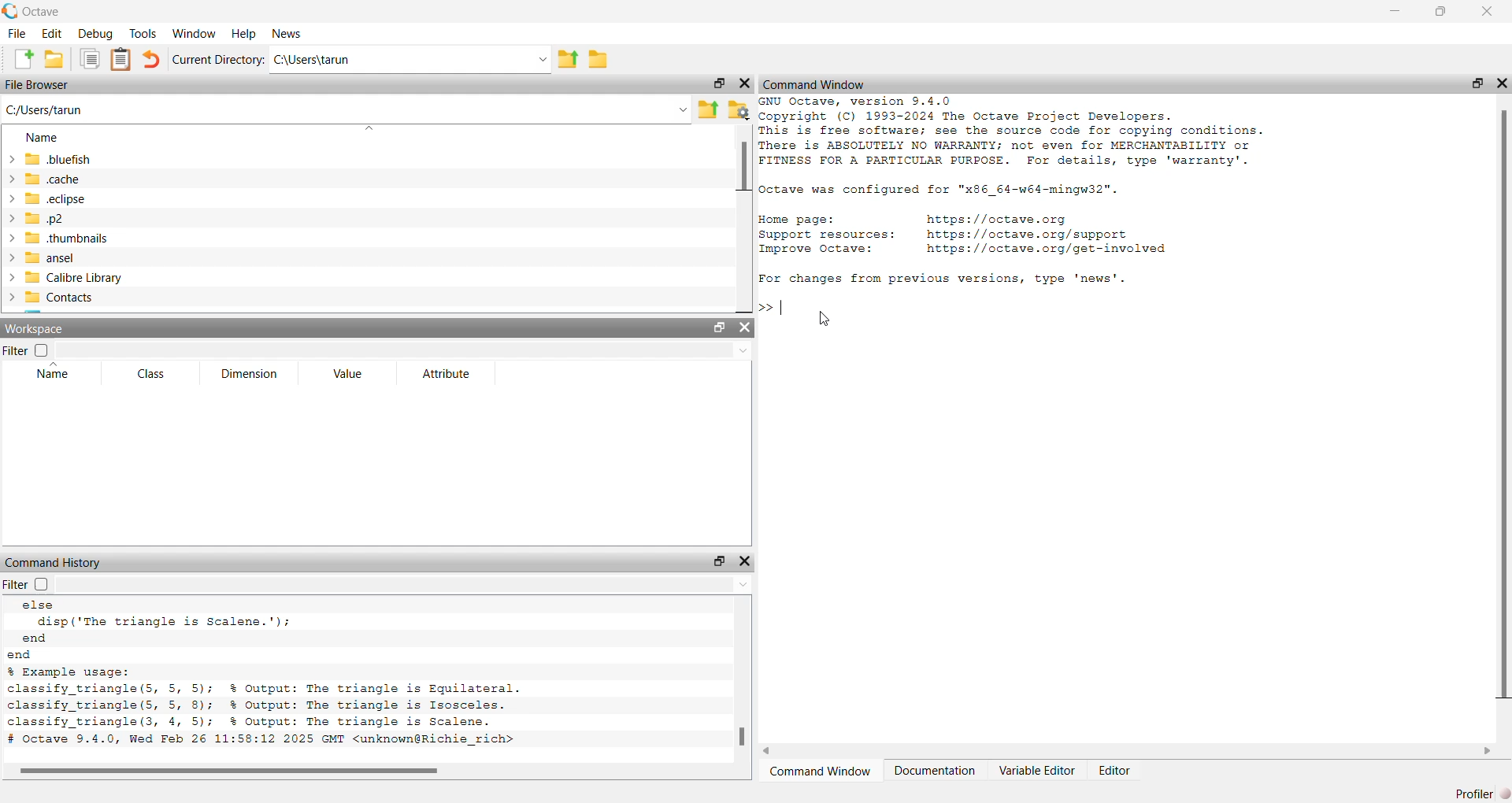  Describe the element at coordinates (744, 166) in the screenshot. I see `scrollbar` at that location.